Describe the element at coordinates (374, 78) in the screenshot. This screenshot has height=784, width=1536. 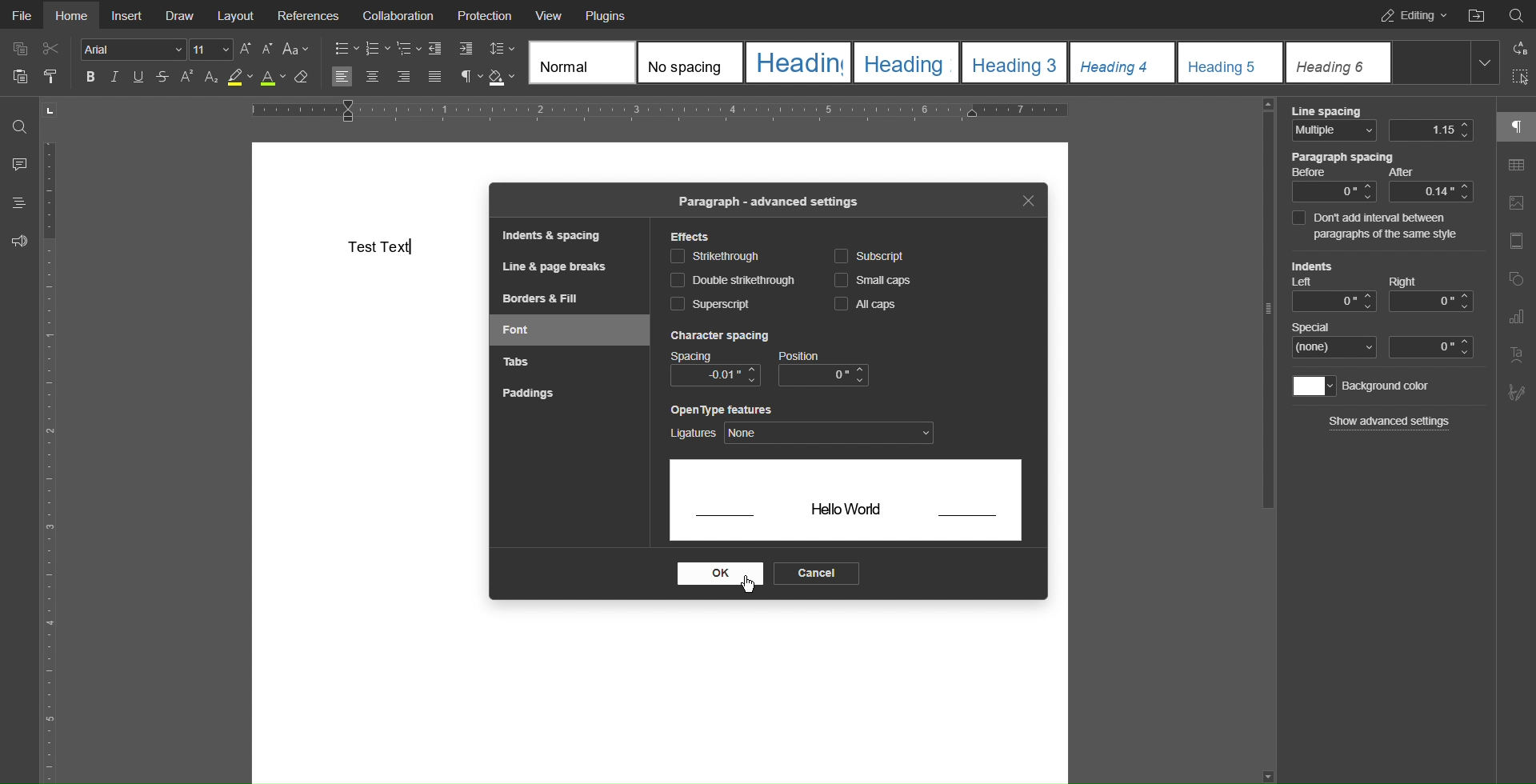
I see `Centre Align` at that location.